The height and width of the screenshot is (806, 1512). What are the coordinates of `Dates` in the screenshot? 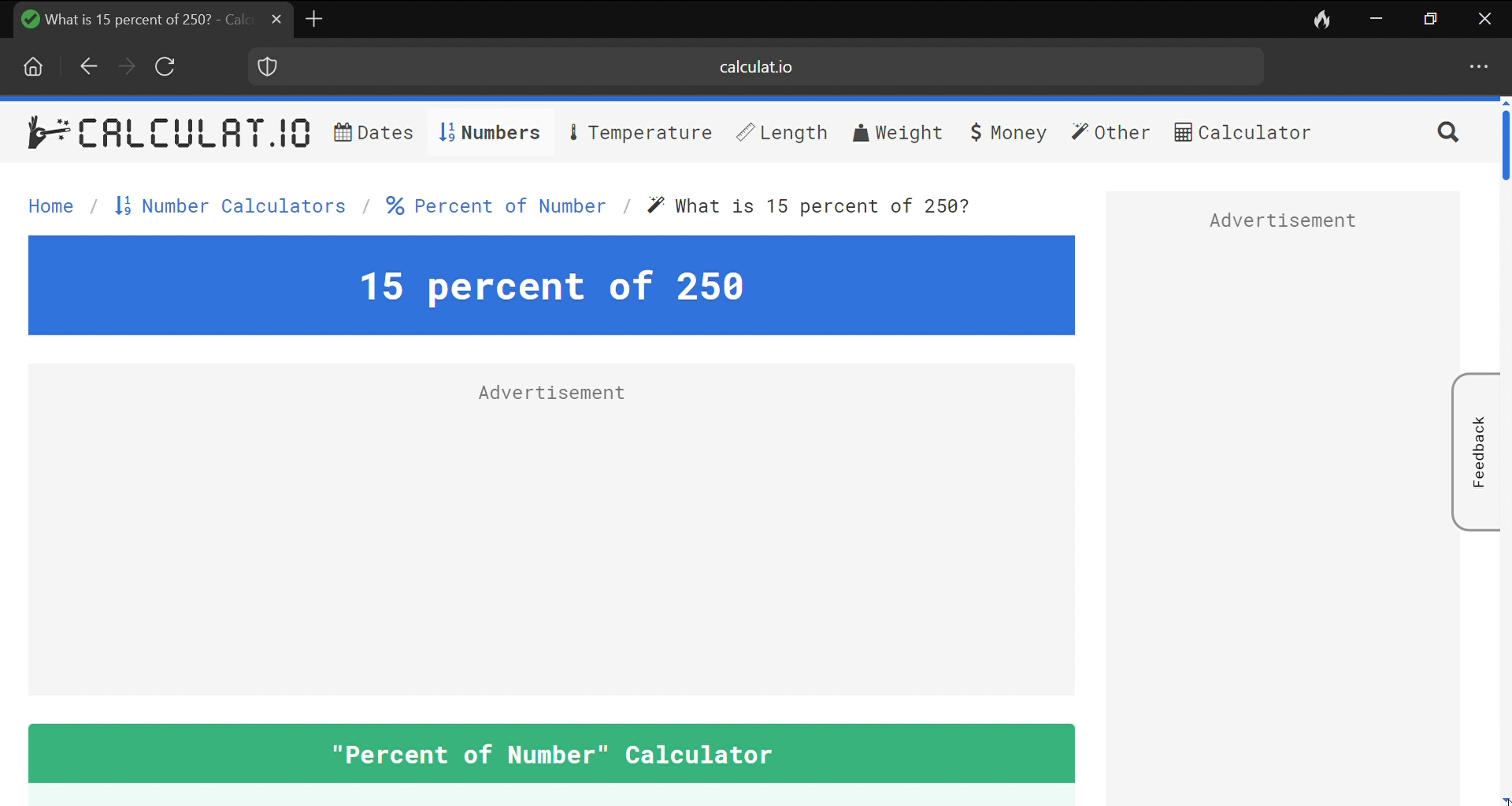 It's located at (372, 134).